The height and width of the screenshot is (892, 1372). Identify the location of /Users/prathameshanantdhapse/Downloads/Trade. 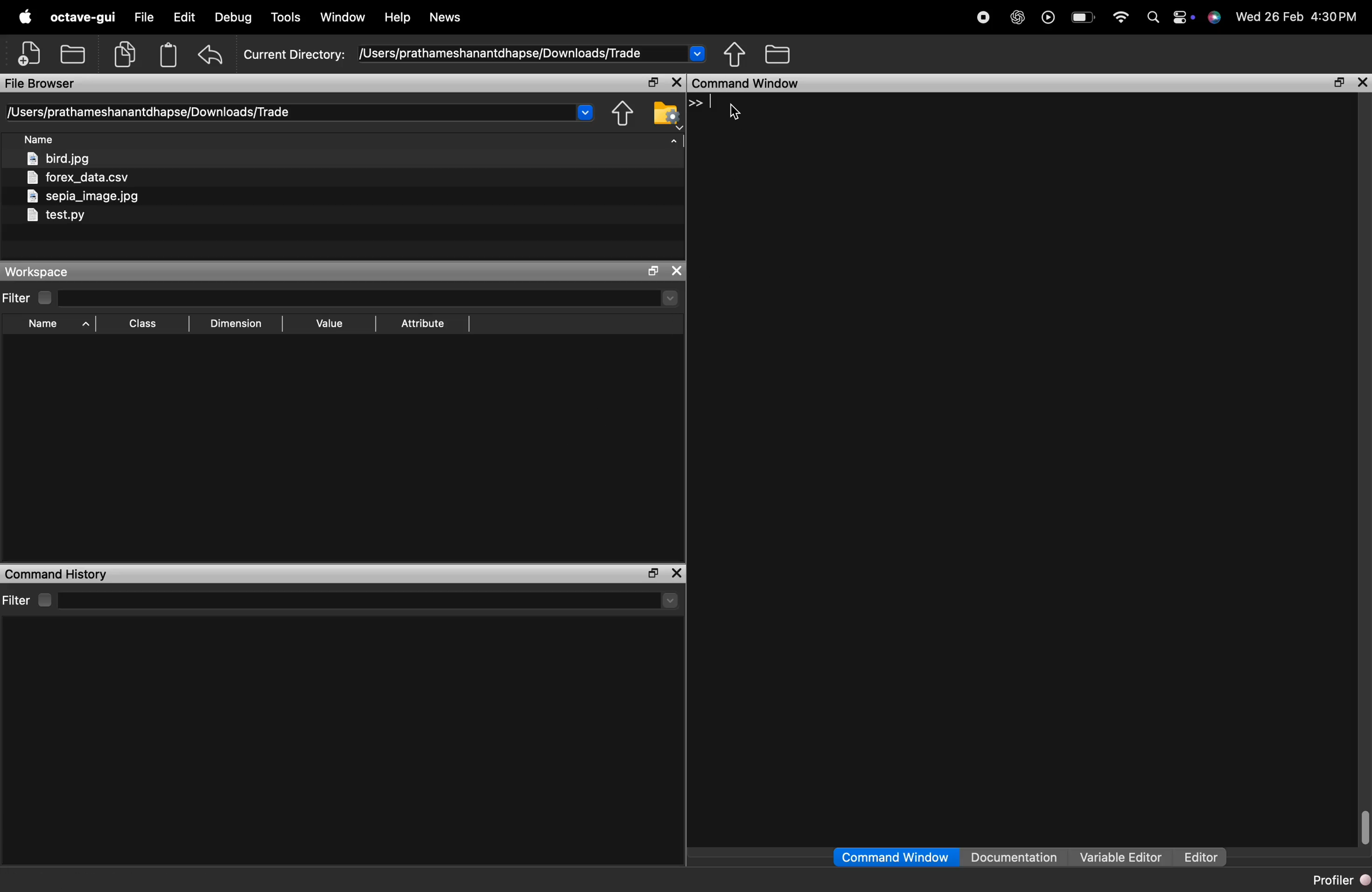
(504, 53).